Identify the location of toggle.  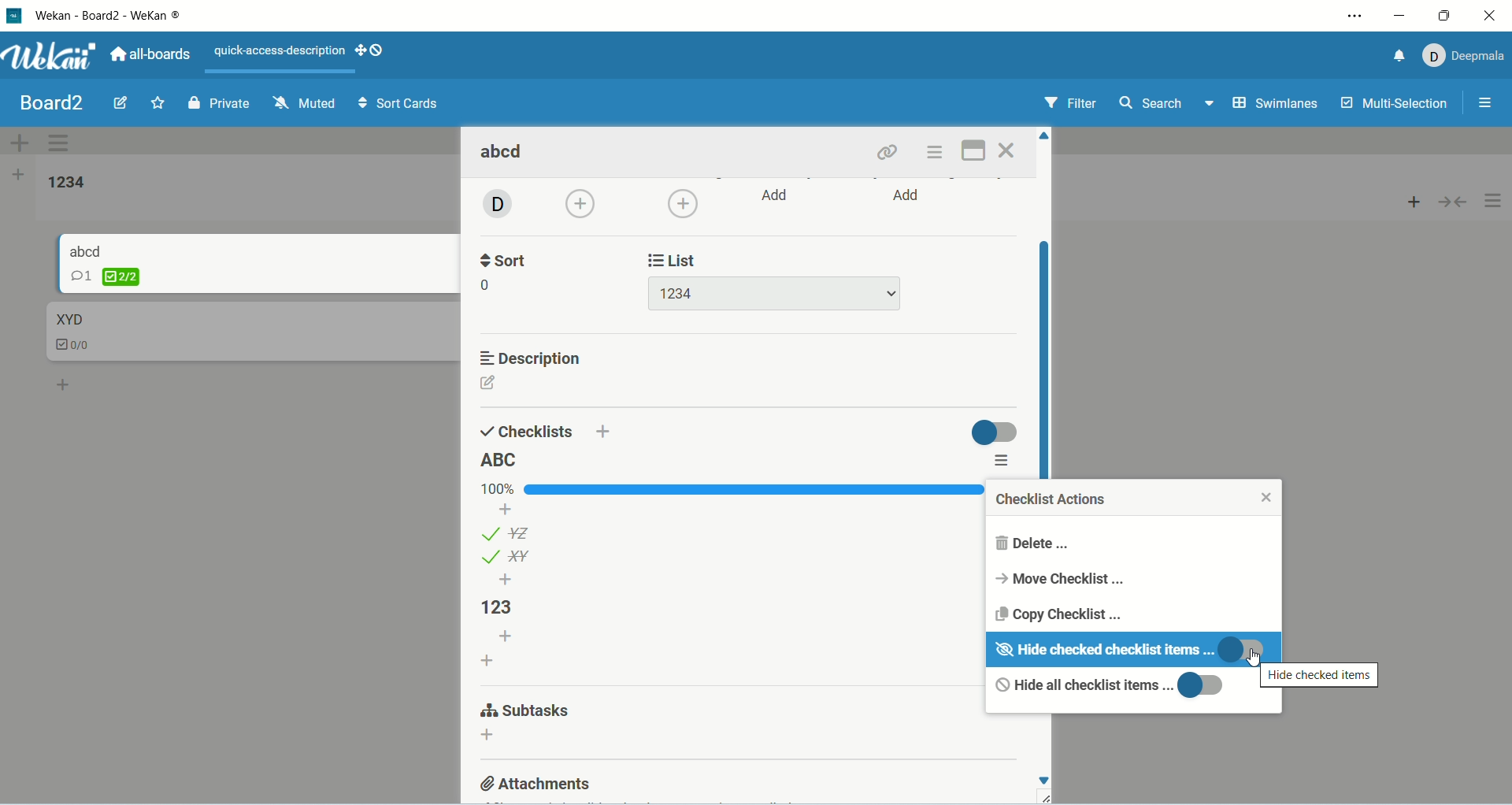
(1203, 684).